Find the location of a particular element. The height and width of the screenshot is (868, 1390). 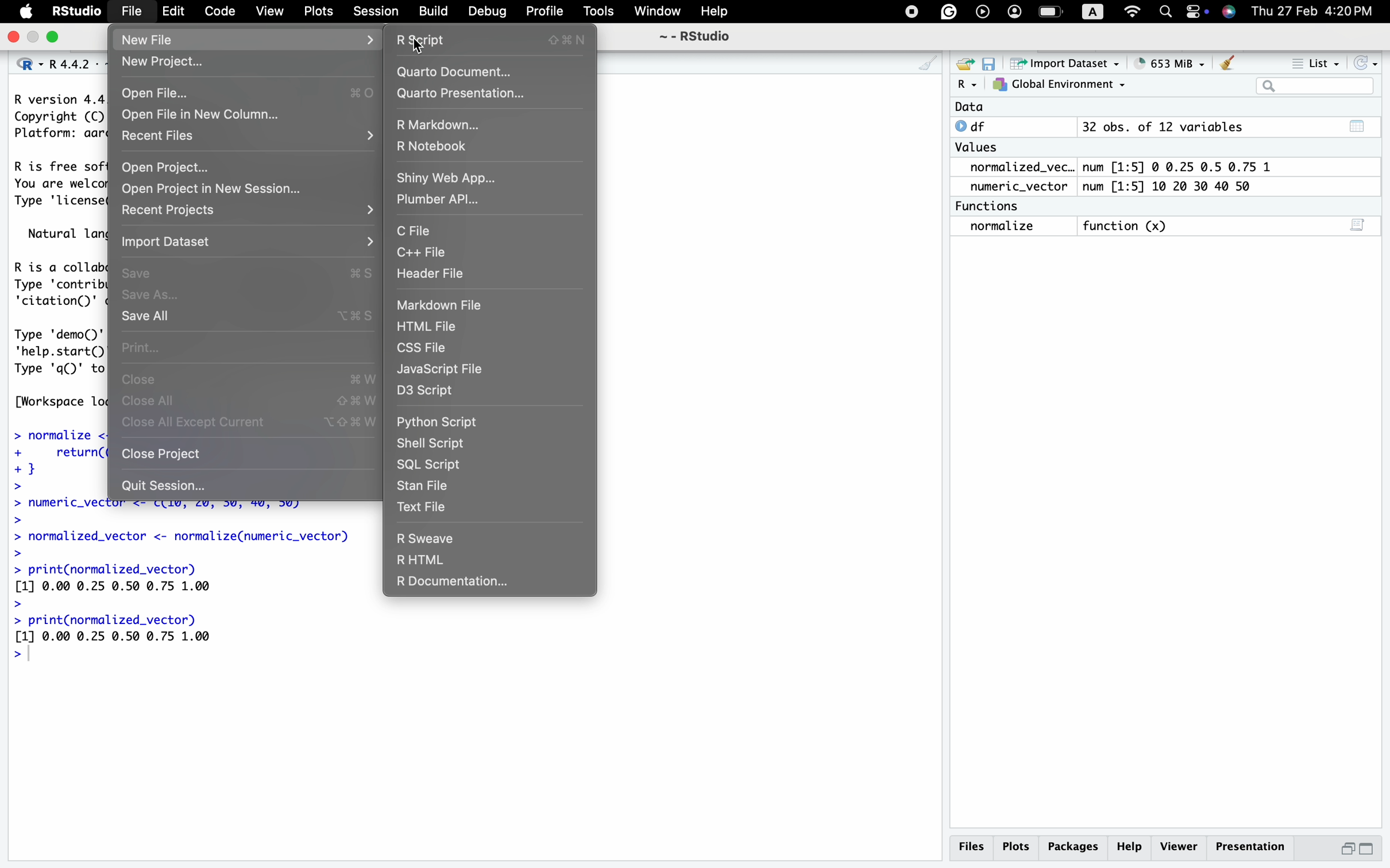

function (x) is located at coordinates (1129, 227).